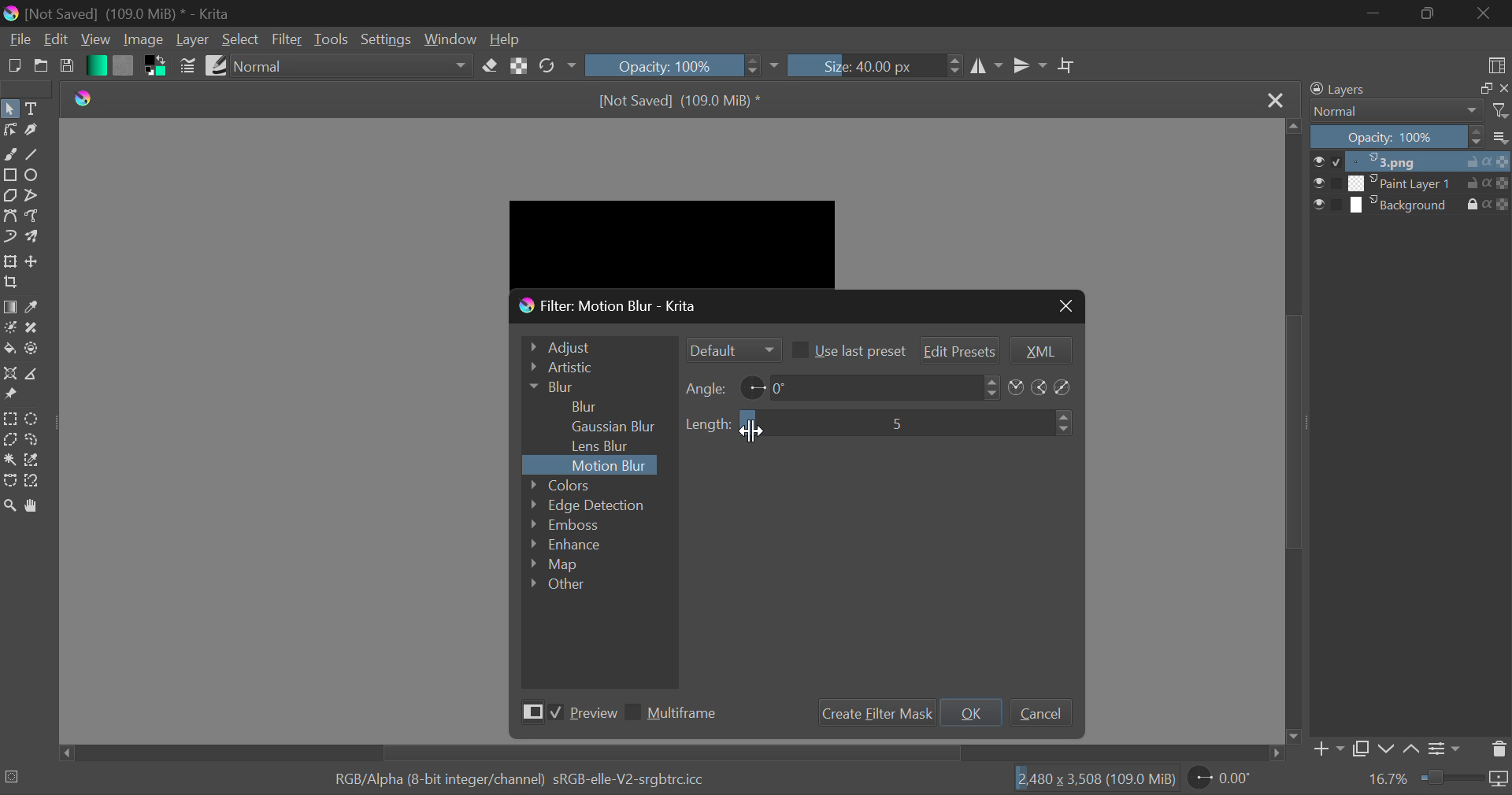 This screenshot has height=795, width=1512. Describe the element at coordinates (1223, 780) in the screenshot. I see `0.00` at that location.